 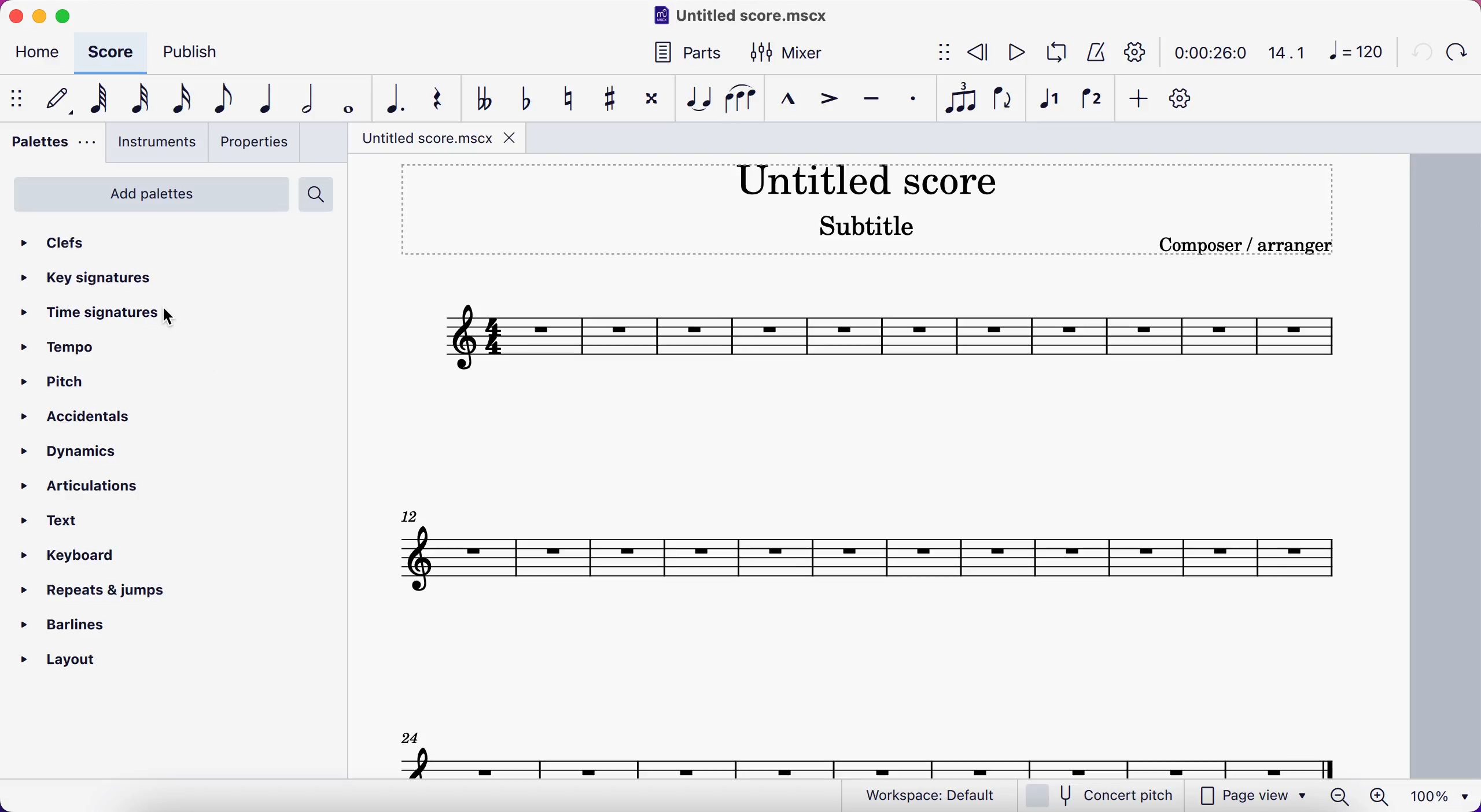 I want to click on tuples, so click(x=957, y=99).